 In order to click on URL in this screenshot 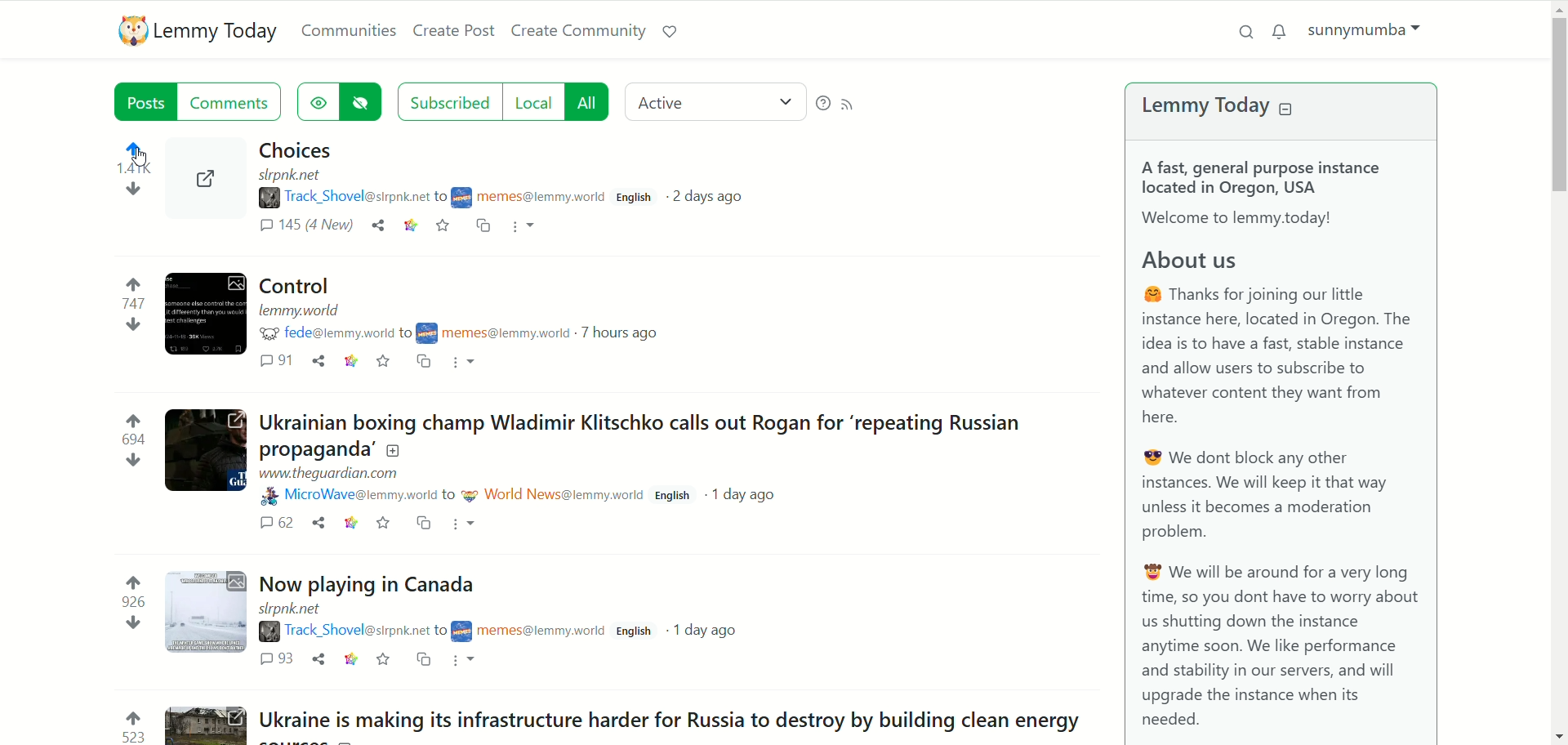, I will do `click(300, 609)`.